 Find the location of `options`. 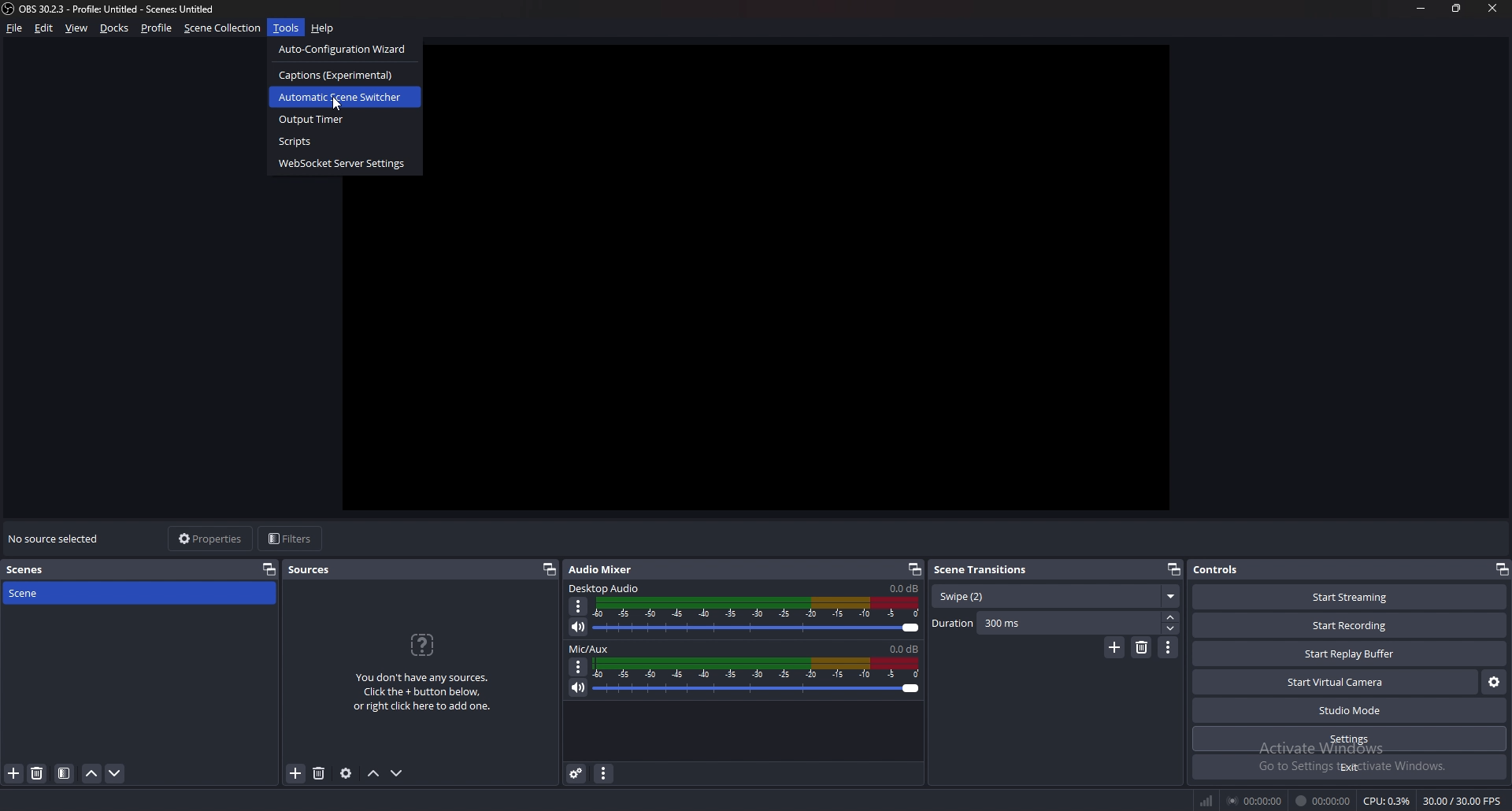

options is located at coordinates (579, 667).